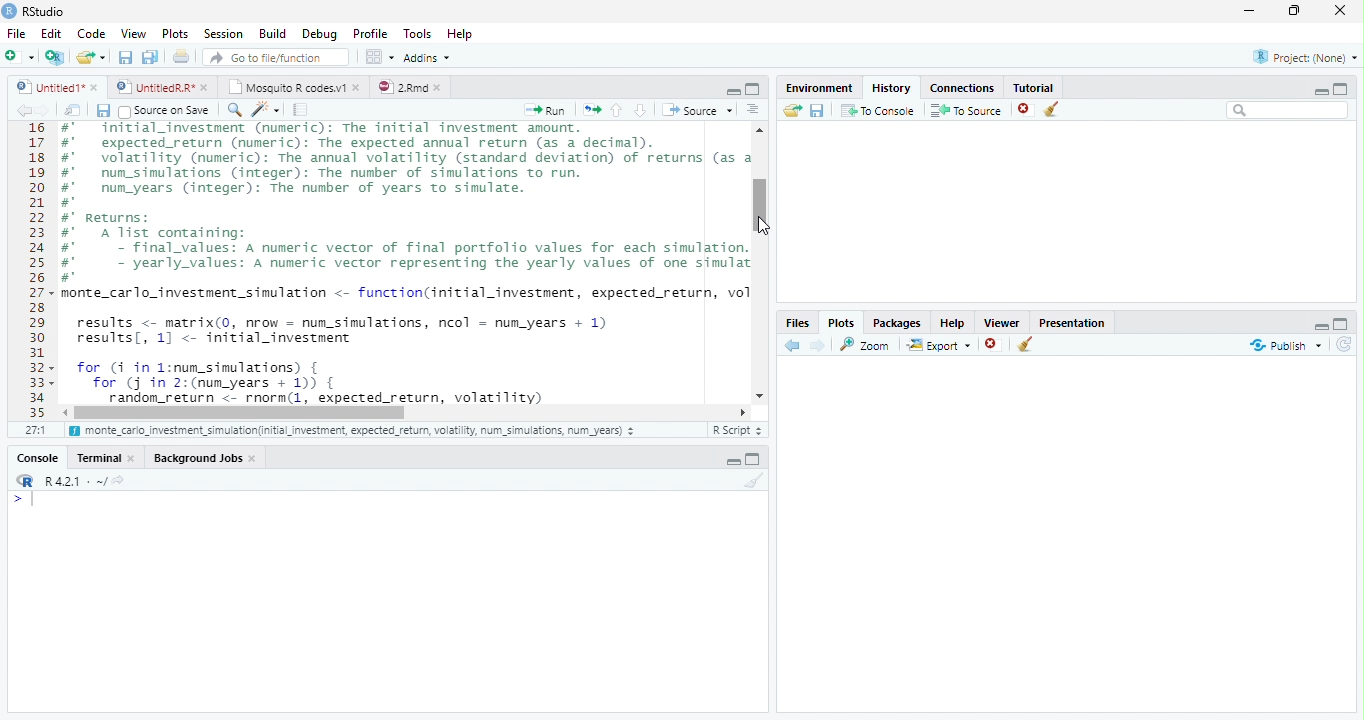 This screenshot has height=720, width=1364. Describe the element at coordinates (124, 57) in the screenshot. I see `Save current file` at that location.